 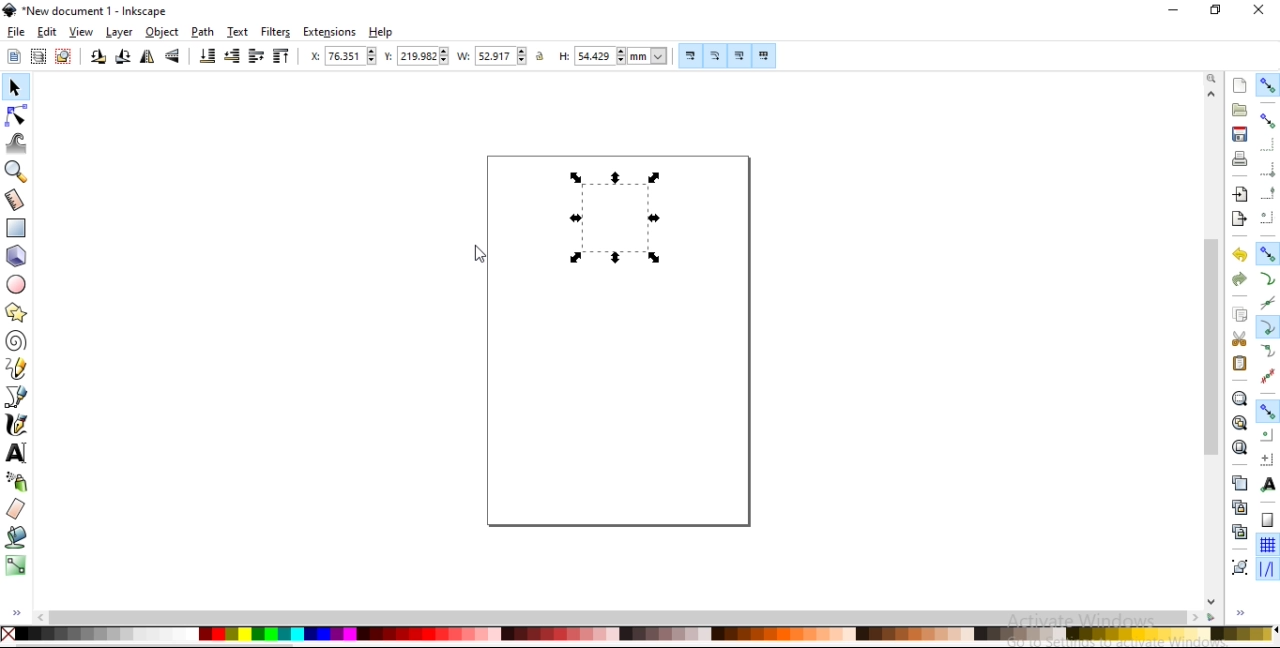 What do you see at coordinates (16, 228) in the screenshot?
I see `create rectangles and squares` at bounding box center [16, 228].